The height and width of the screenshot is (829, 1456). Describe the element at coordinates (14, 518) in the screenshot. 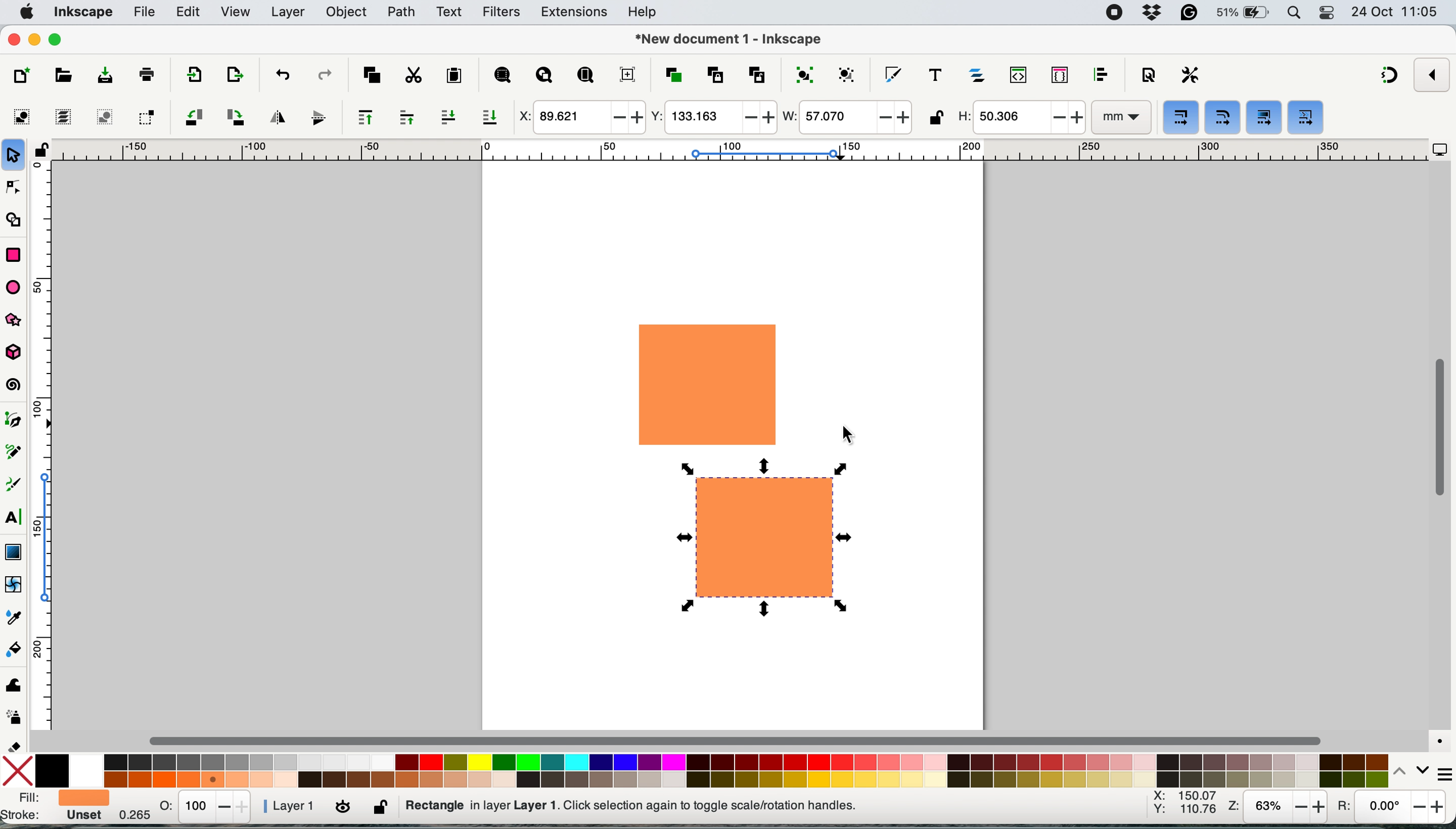

I see `text tool` at that location.